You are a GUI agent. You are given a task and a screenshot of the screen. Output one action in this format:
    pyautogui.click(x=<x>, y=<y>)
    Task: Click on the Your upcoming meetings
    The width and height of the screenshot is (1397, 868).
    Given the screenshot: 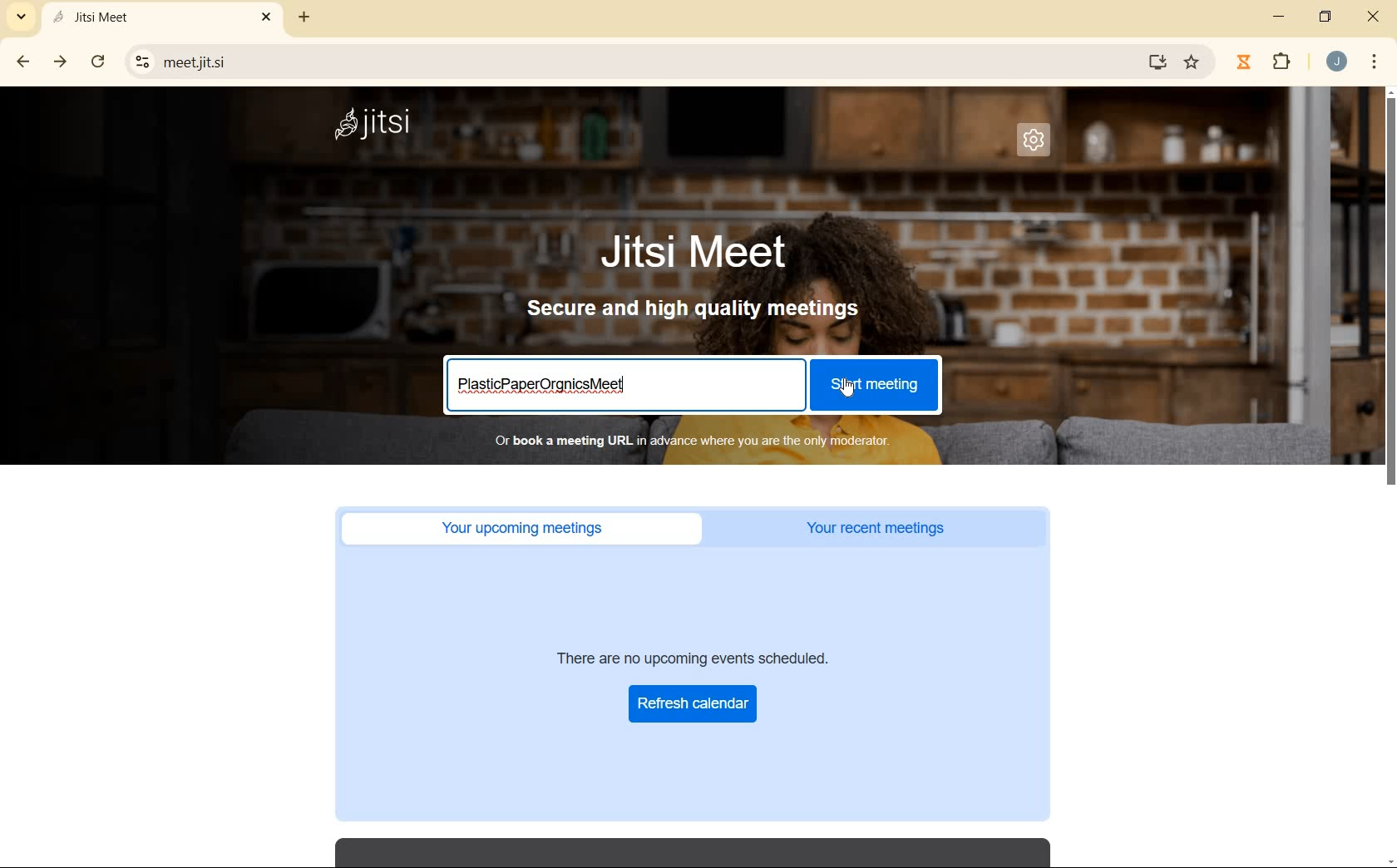 What is the action you would take?
    pyautogui.click(x=521, y=528)
    